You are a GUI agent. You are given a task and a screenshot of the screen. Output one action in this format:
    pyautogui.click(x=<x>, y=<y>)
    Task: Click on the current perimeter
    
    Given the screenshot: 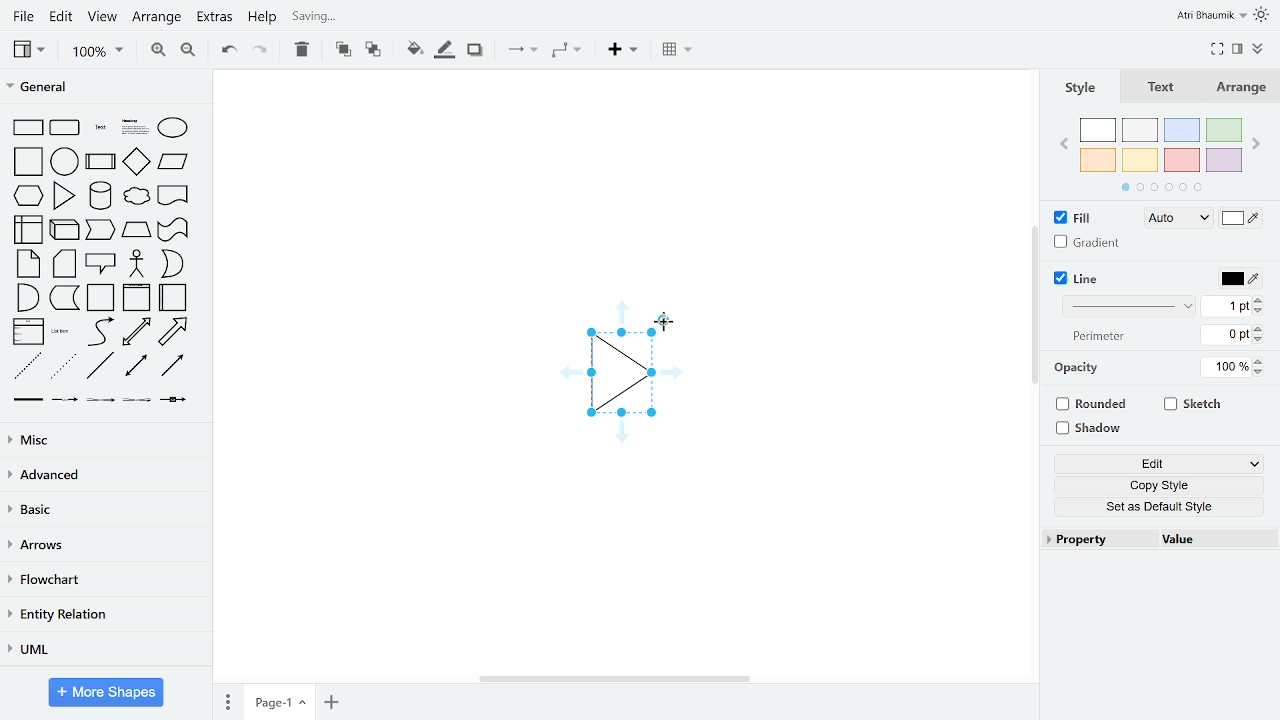 What is the action you would take?
    pyautogui.click(x=1226, y=335)
    